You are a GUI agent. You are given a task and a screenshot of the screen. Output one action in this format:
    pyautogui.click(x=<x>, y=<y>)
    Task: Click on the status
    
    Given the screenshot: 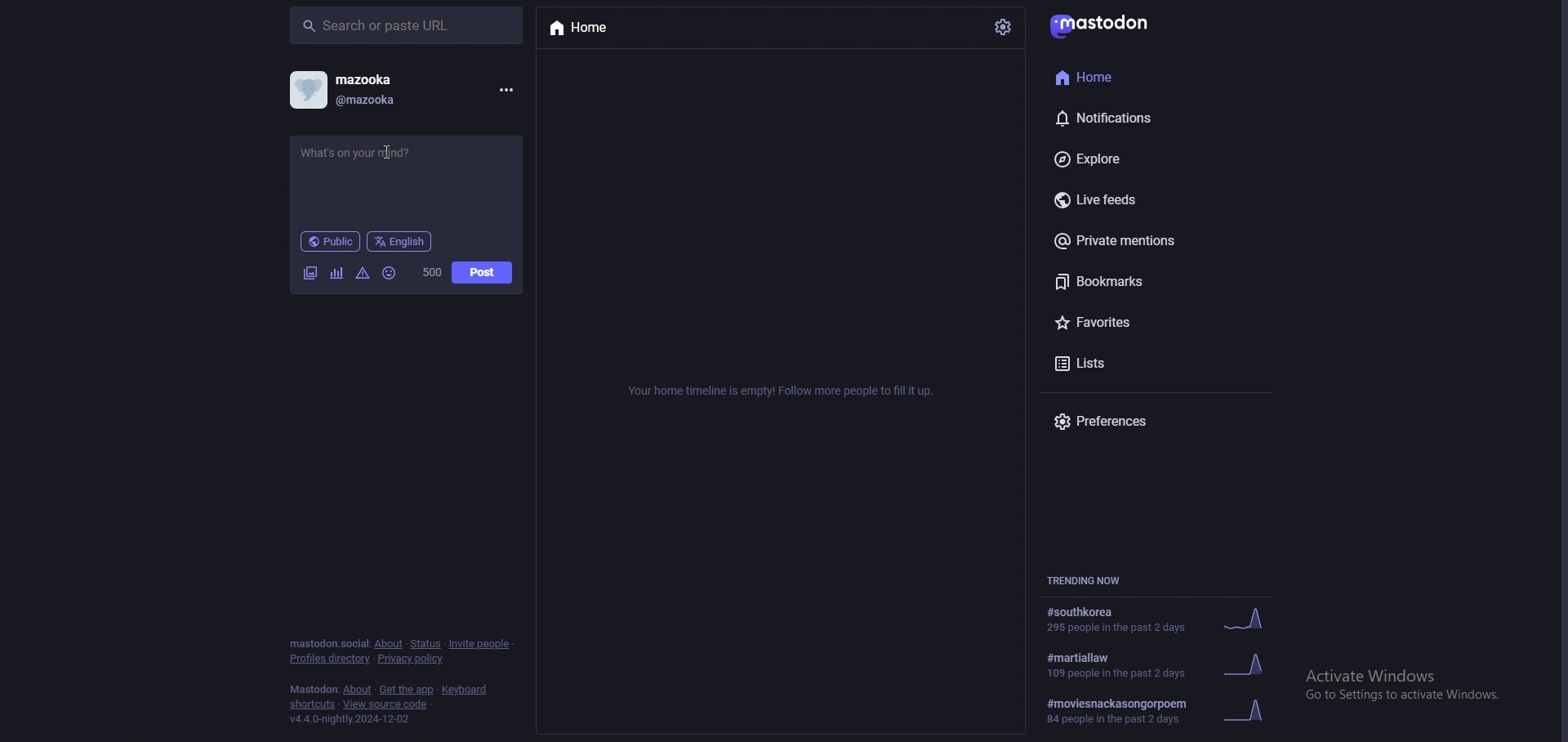 What is the action you would take?
    pyautogui.click(x=425, y=644)
    